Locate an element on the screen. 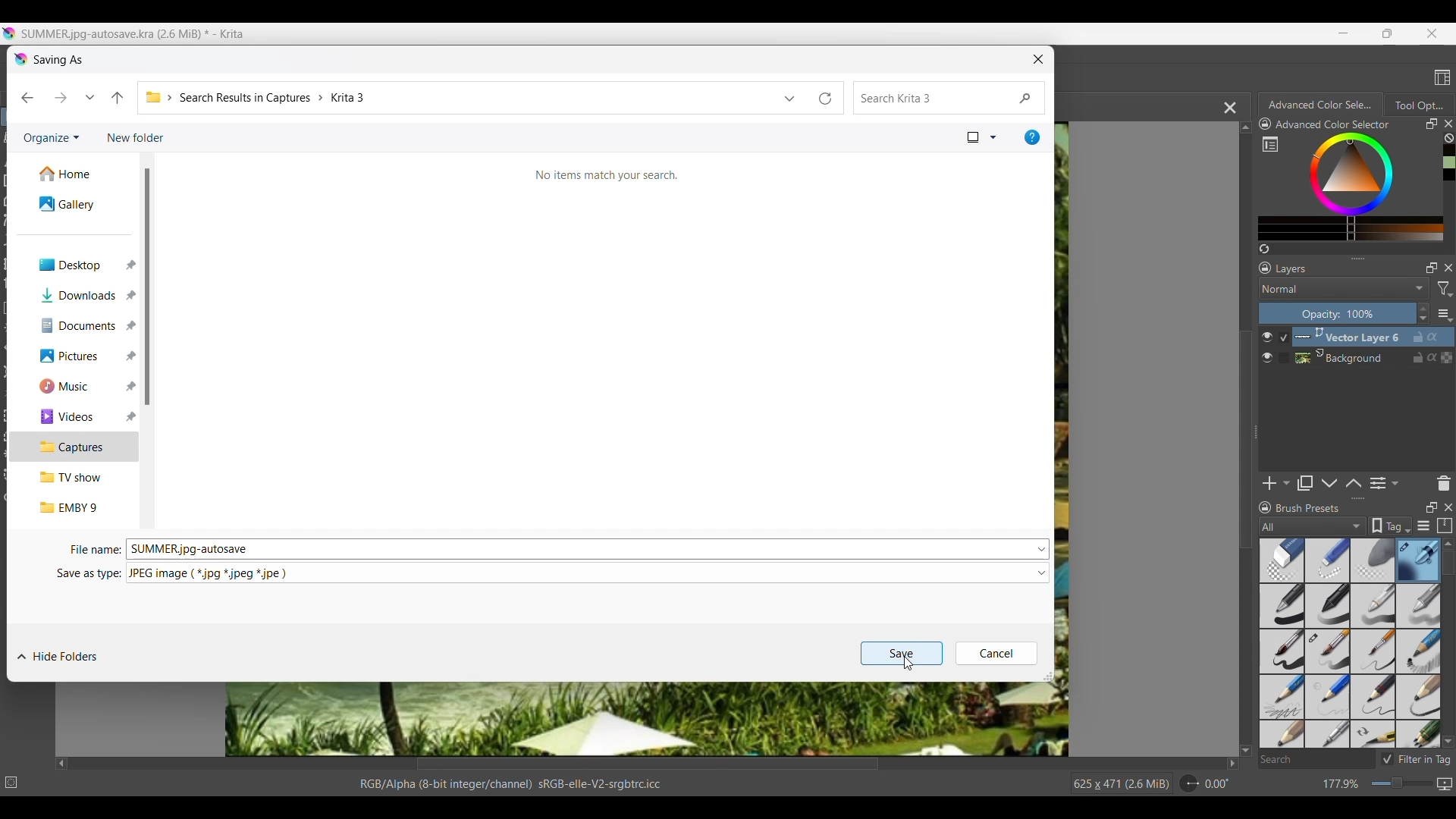 The width and height of the screenshot is (1456, 819). Current tab is located at coordinates (1317, 104).